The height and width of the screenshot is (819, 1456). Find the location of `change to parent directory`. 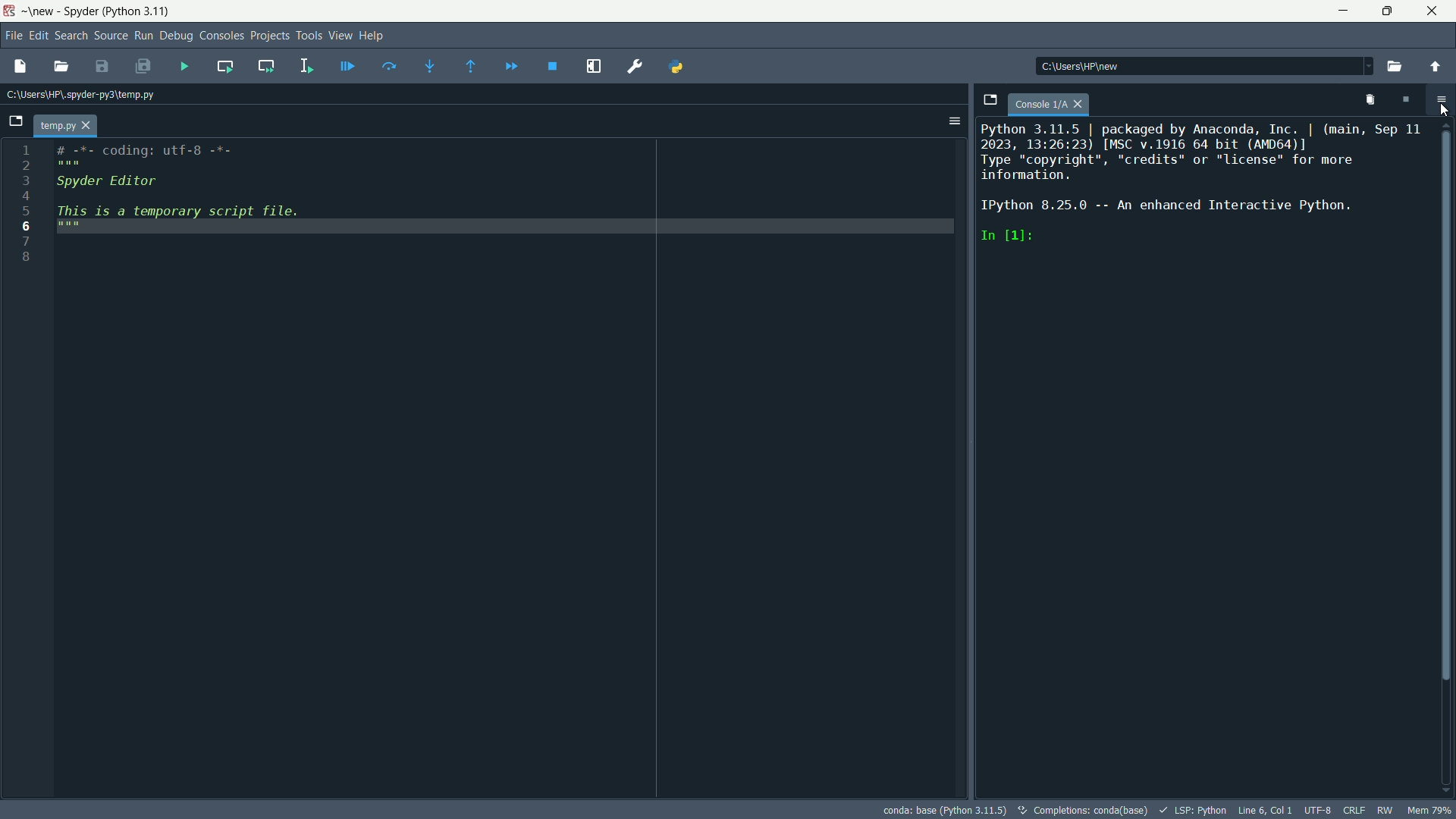

change to parent directory is located at coordinates (1435, 67).